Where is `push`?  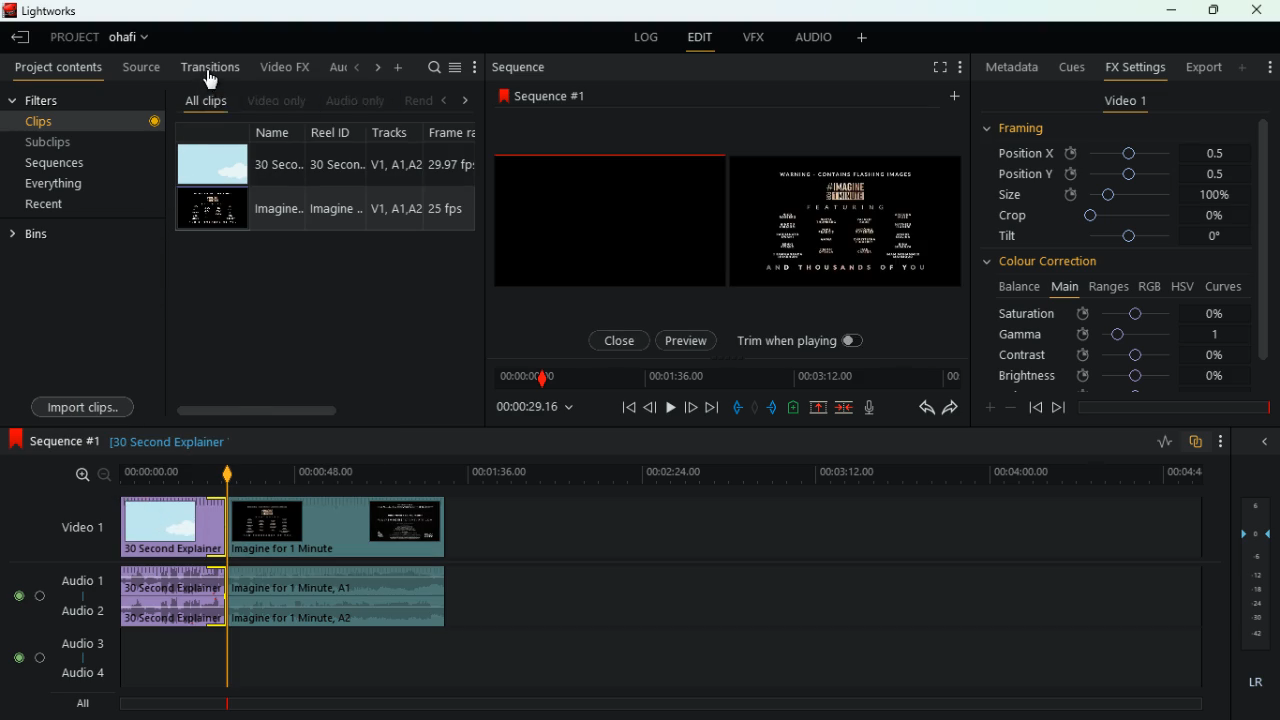 push is located at coordinates (774, 409).